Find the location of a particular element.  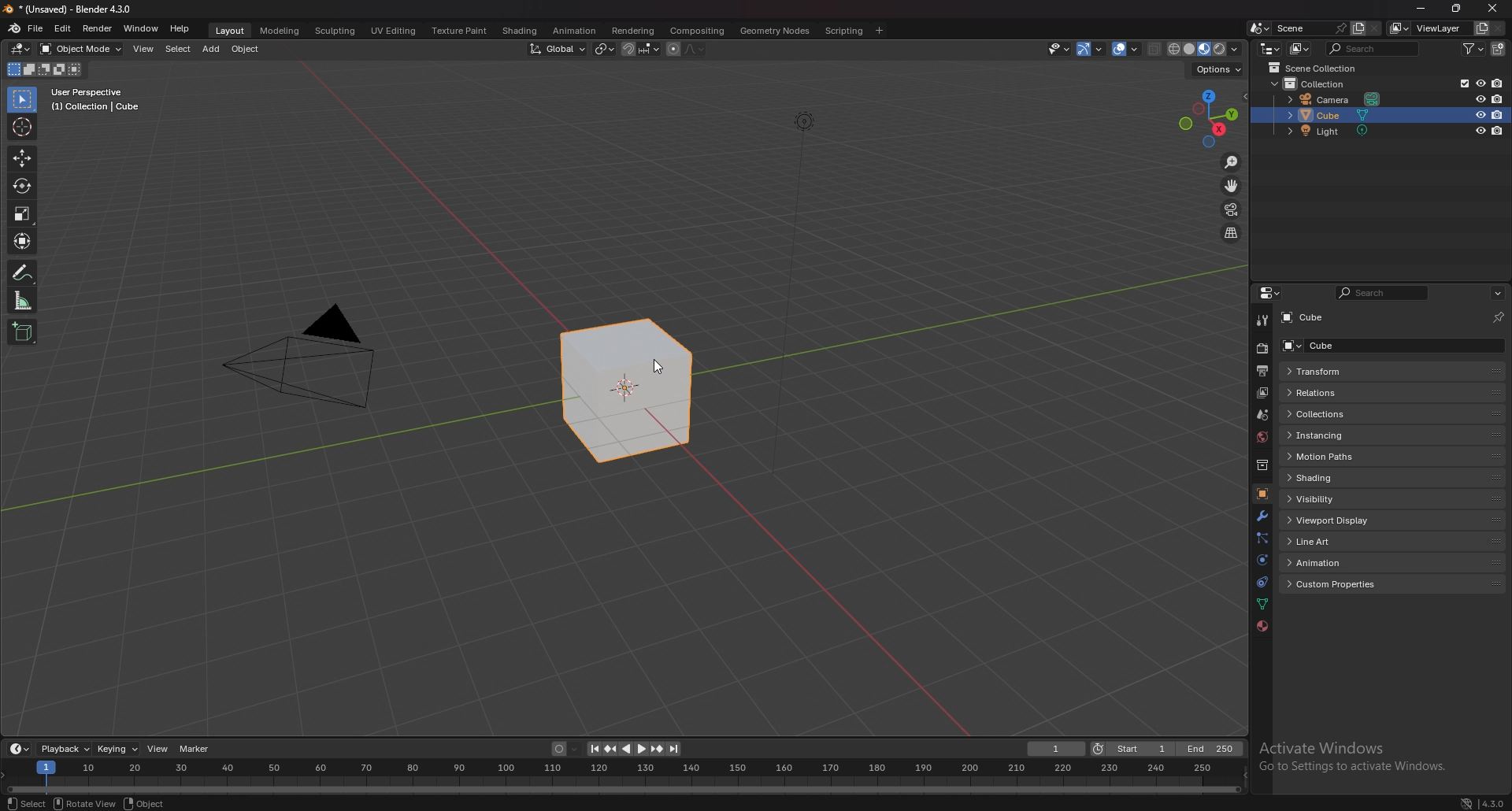

cube is located at coordinates (1358, 346).